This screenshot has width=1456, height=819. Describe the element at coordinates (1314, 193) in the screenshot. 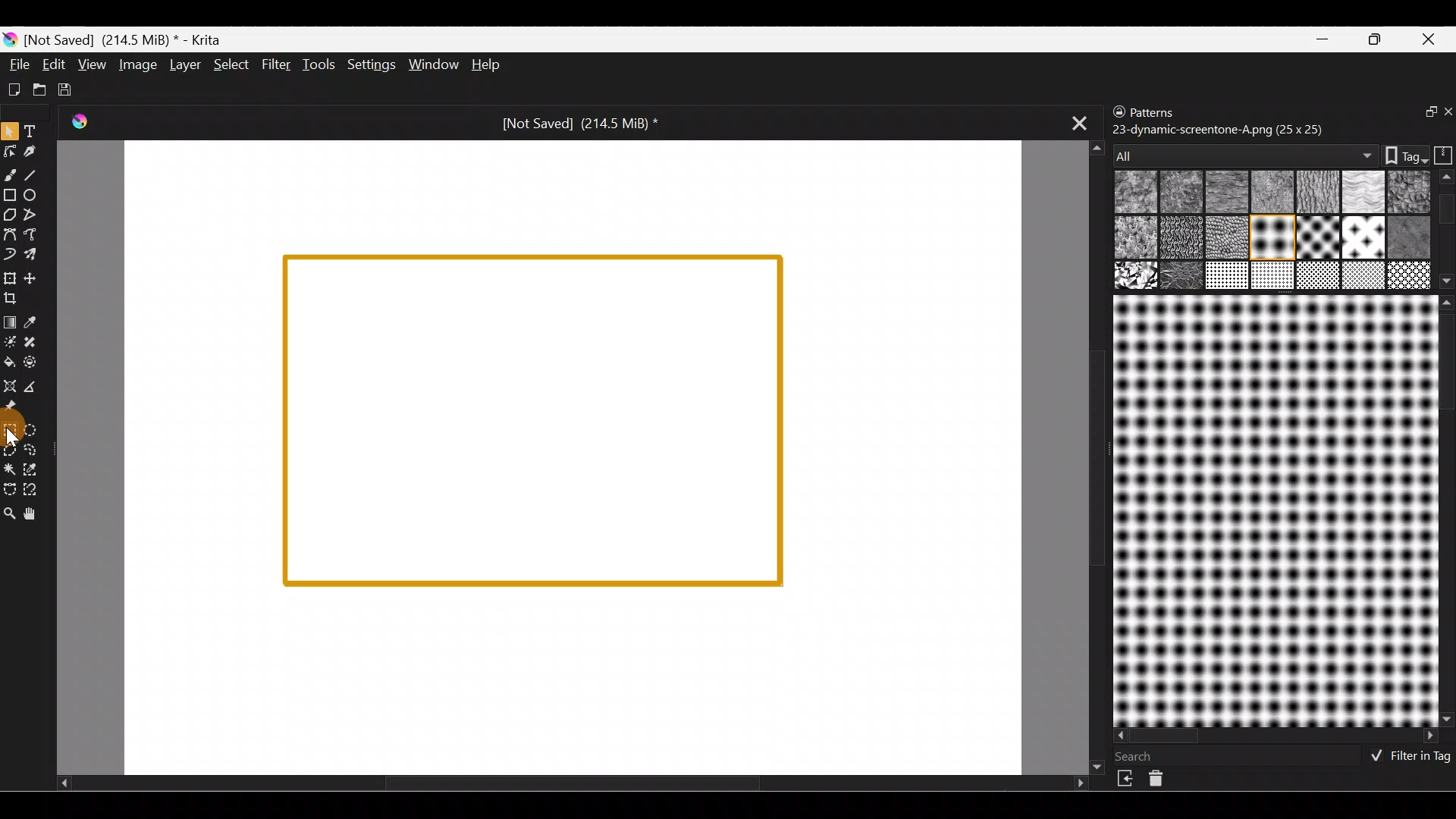

I see `04 paper-c-grain.png` at that location.